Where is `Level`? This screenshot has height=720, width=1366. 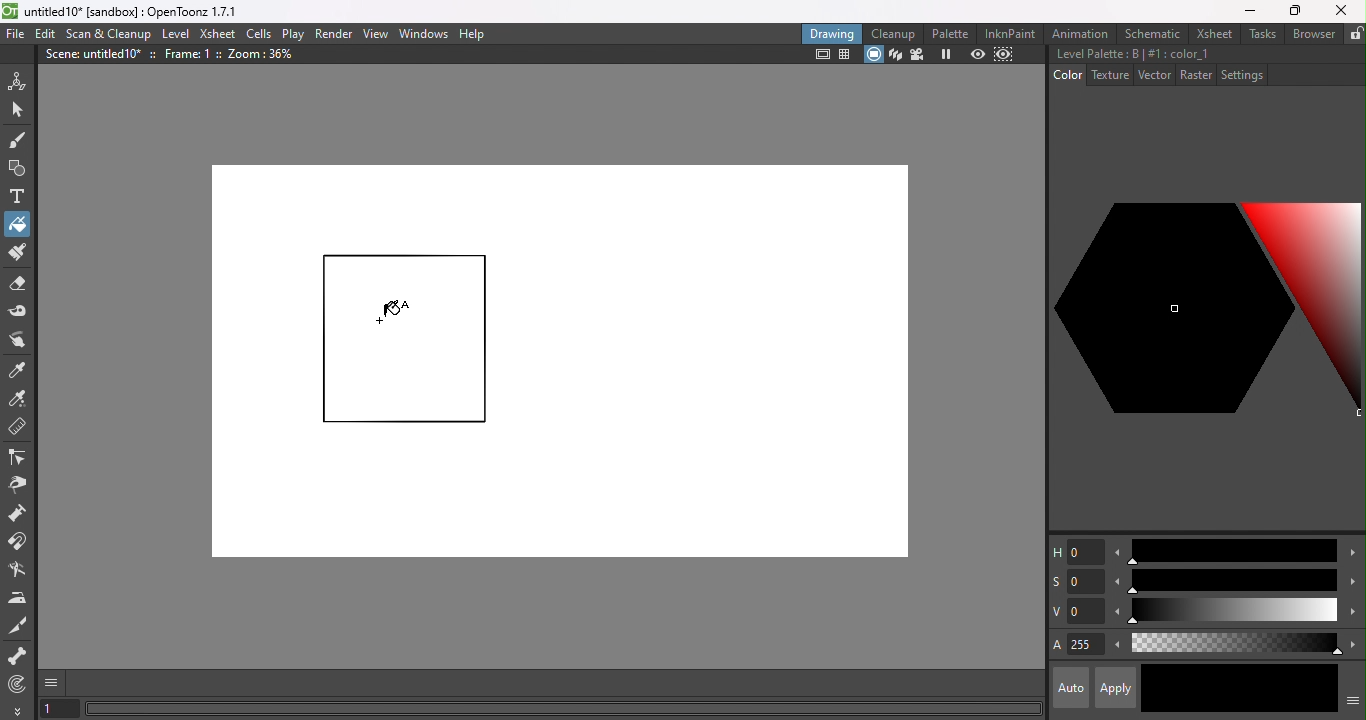 Level is located at coordinates (178, 34).